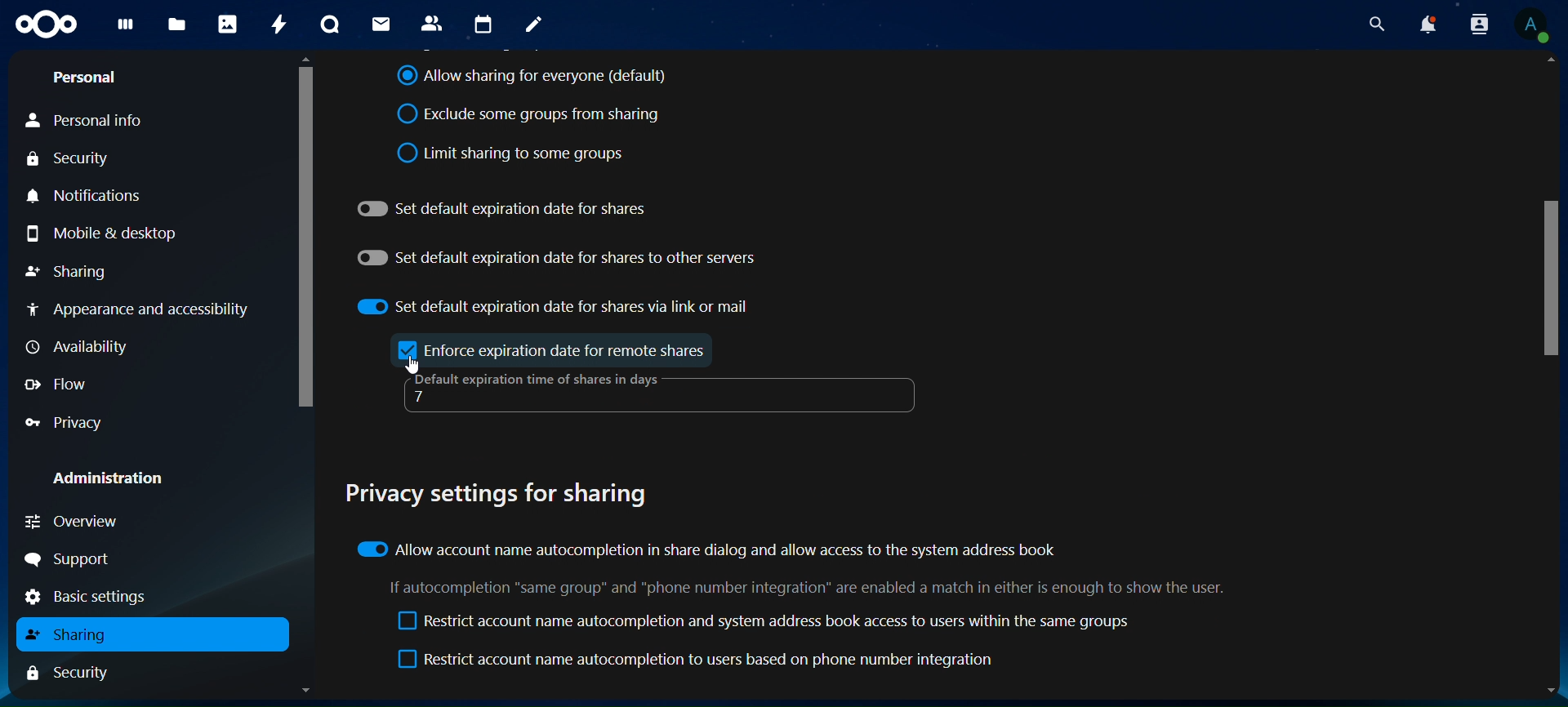 The height and width of the screenshot is (707, 1568). I want to click on allow sharing for everyone, so click(532, 78).